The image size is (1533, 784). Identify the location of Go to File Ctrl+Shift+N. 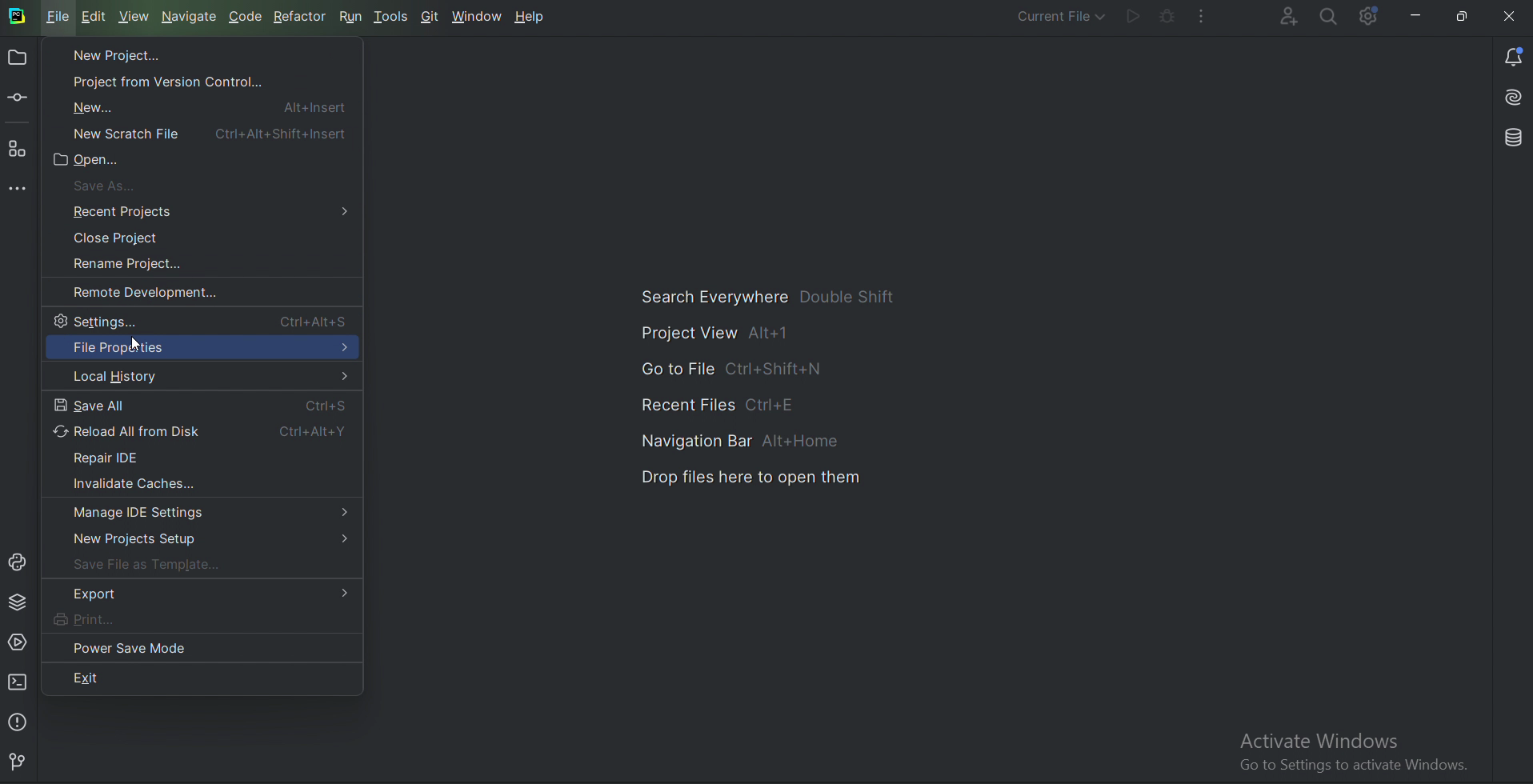
(738, 370).